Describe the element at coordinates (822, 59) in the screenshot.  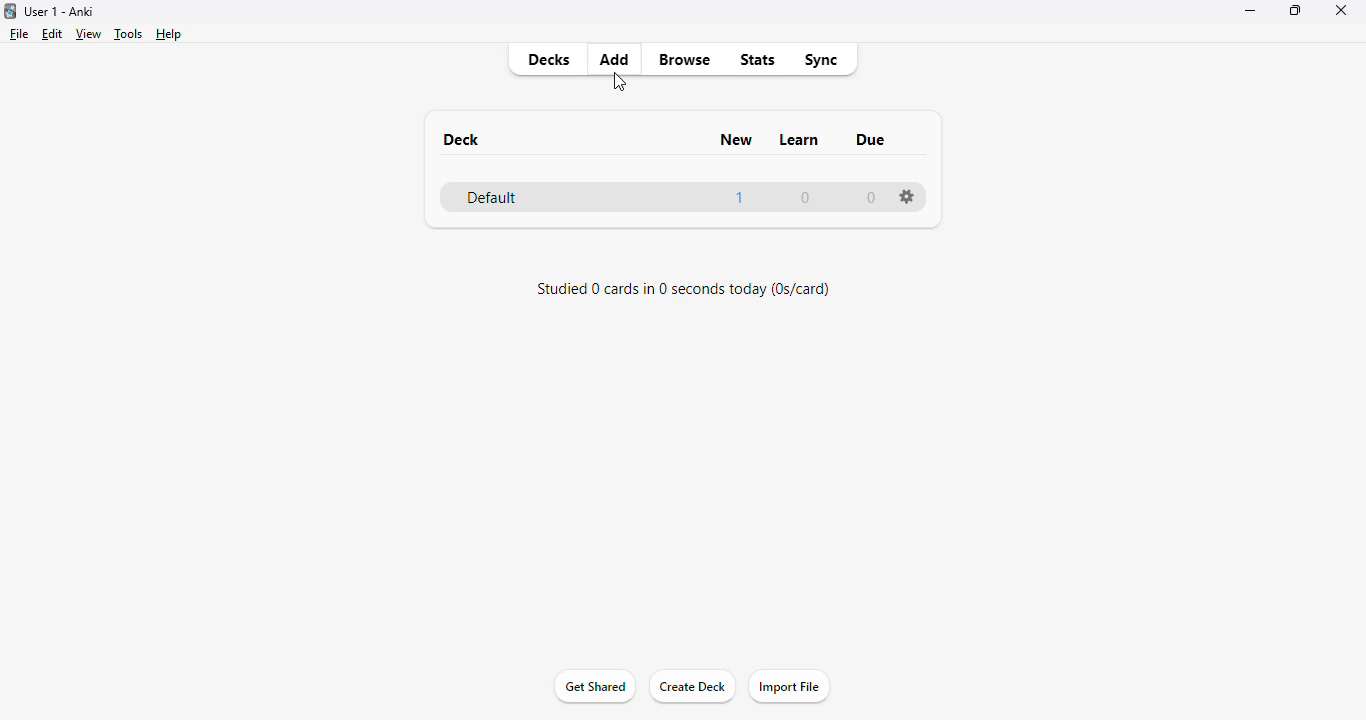
I see `sync` at that location.